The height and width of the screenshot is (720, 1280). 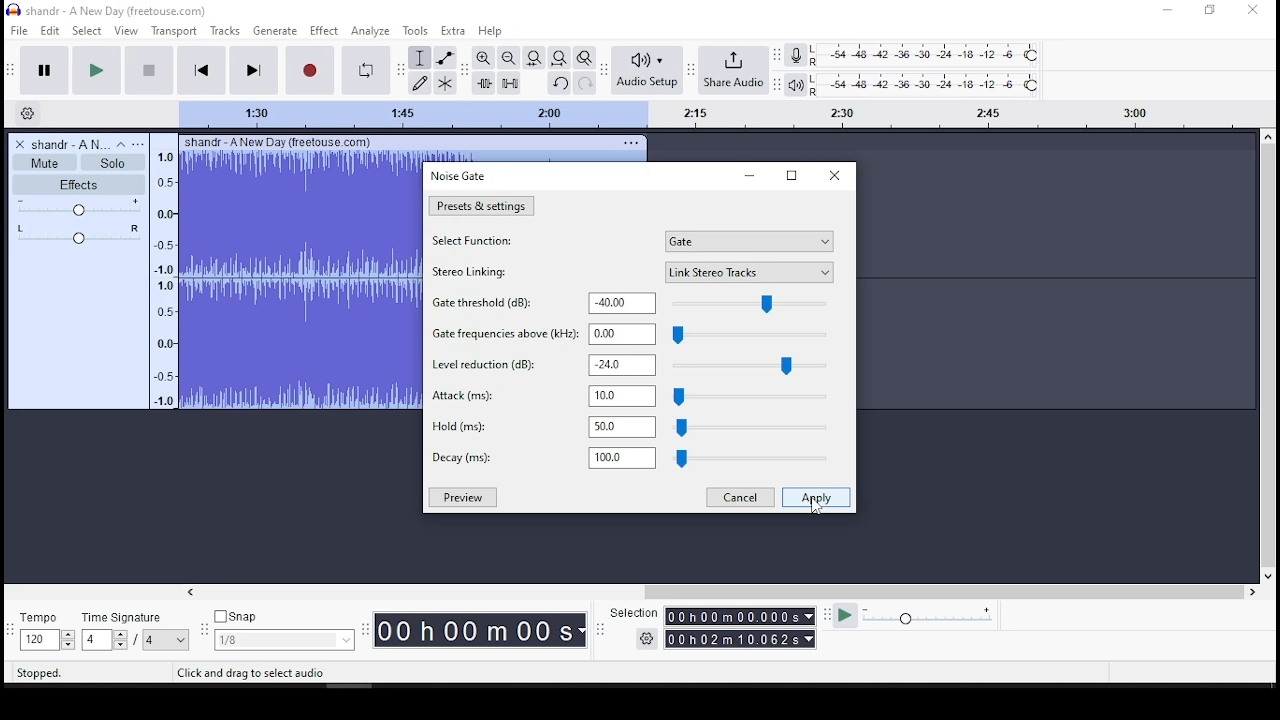 What do you see at coordinates (445, 58) in the screenshot?
I see `envelope tool` at bounding box center [445, 58].